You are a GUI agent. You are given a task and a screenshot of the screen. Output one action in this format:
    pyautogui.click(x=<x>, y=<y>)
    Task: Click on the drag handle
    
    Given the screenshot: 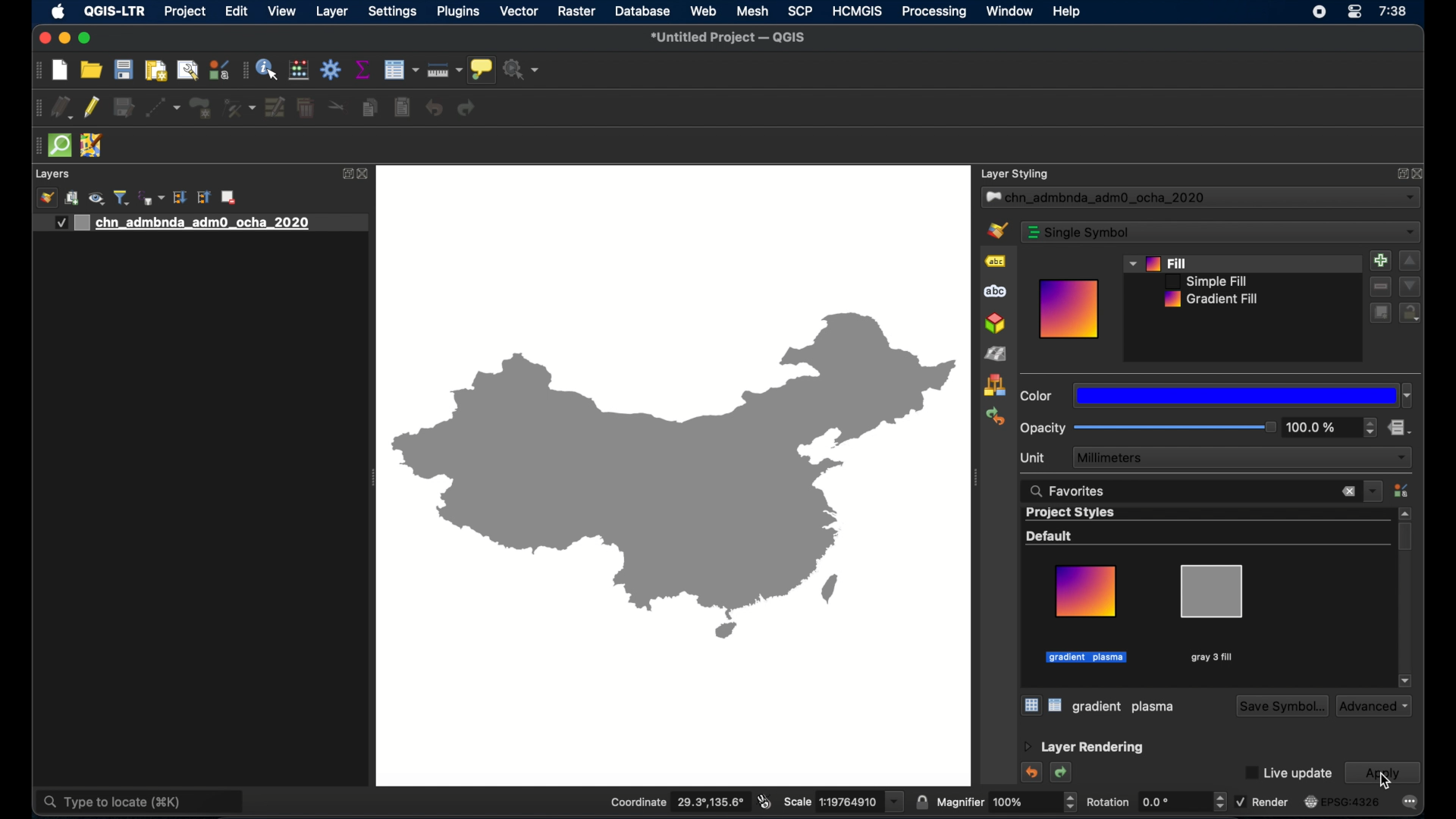 What is the action you would take?
    pyautogui.click(x=243, y=71)
    